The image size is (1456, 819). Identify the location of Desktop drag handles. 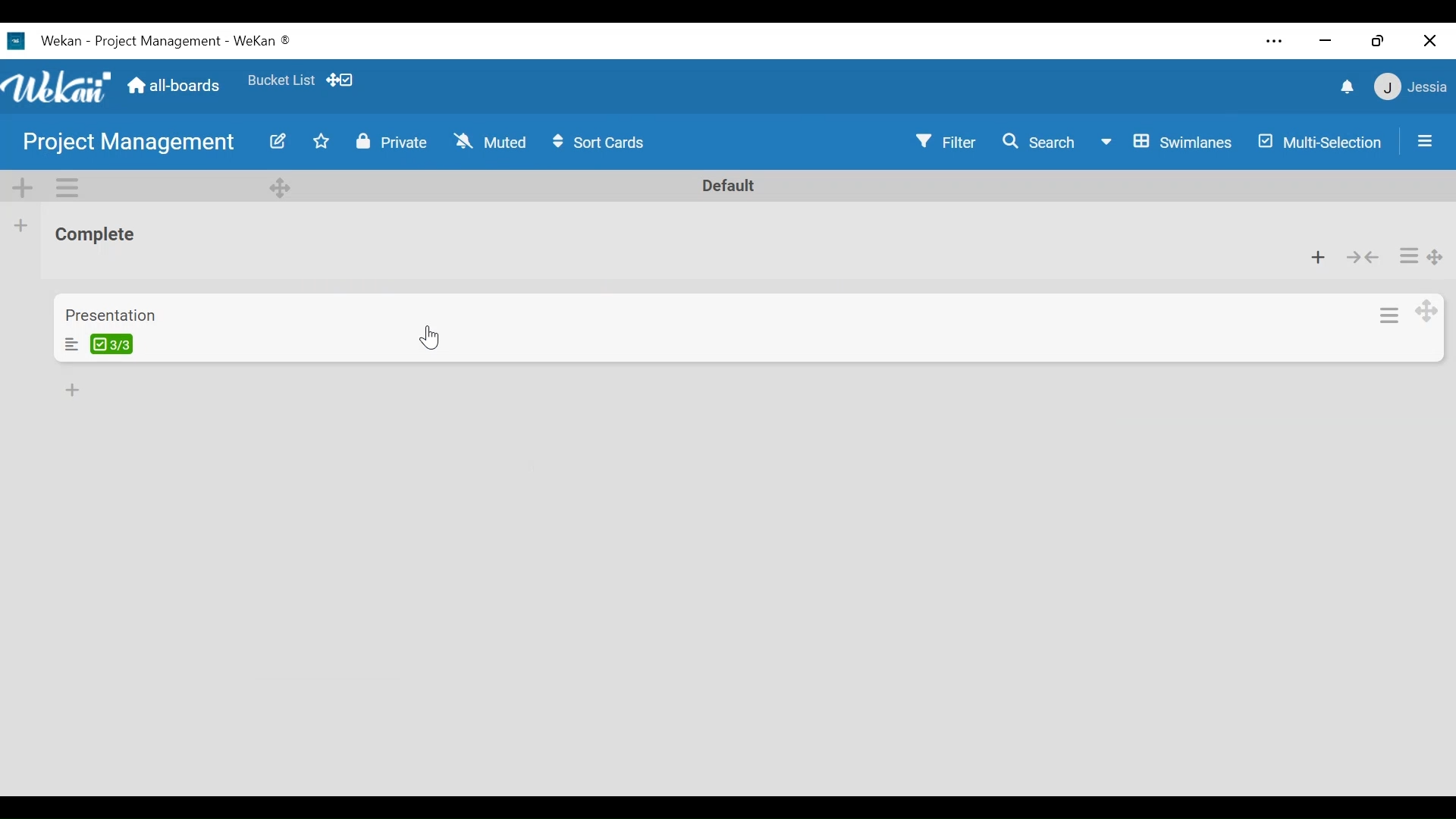
(280, 187).